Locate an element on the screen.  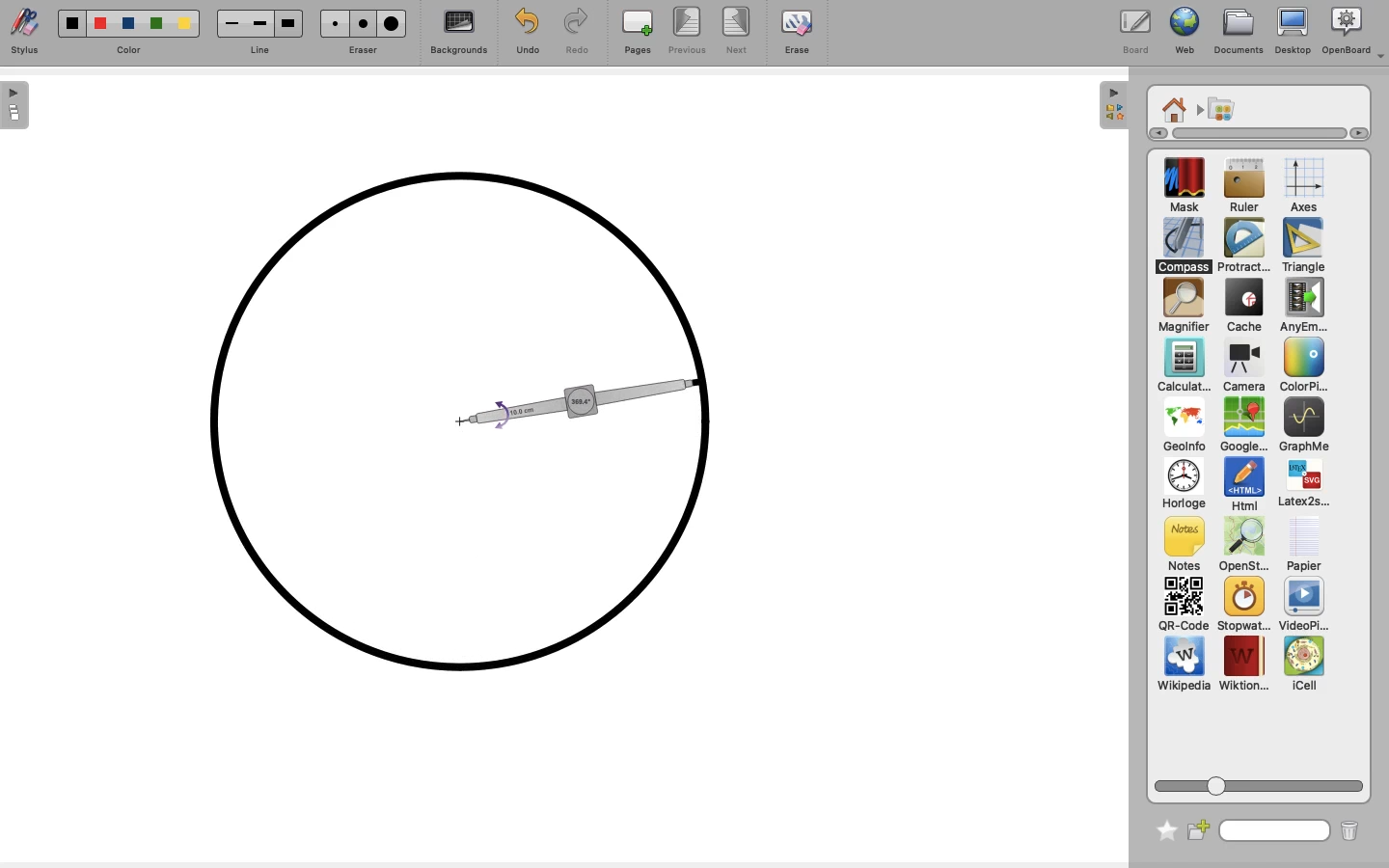
Erase is located at coordinates (796, 31).